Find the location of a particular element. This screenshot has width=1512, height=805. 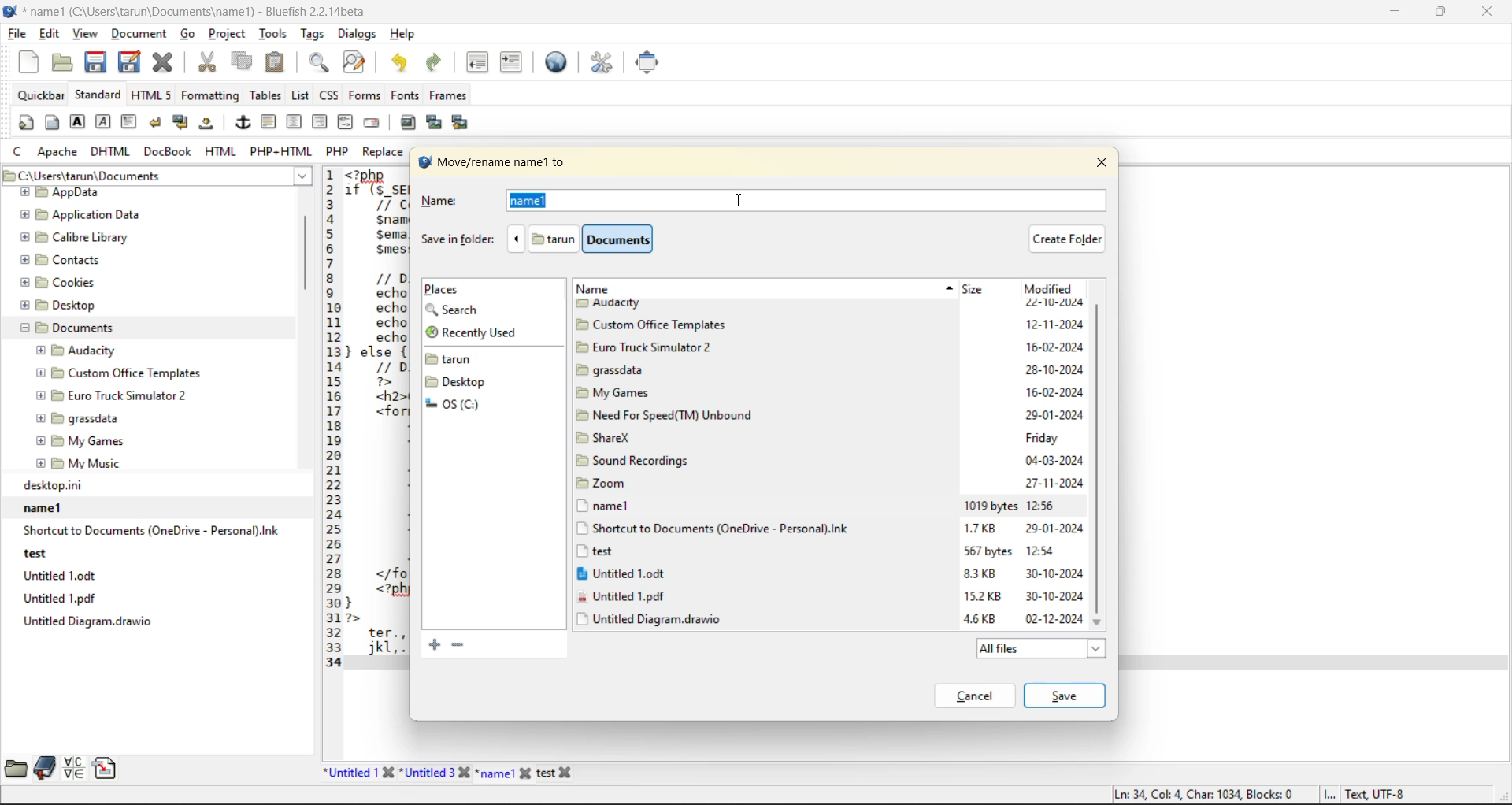

non breaking space is located at coordinates (210, 124).